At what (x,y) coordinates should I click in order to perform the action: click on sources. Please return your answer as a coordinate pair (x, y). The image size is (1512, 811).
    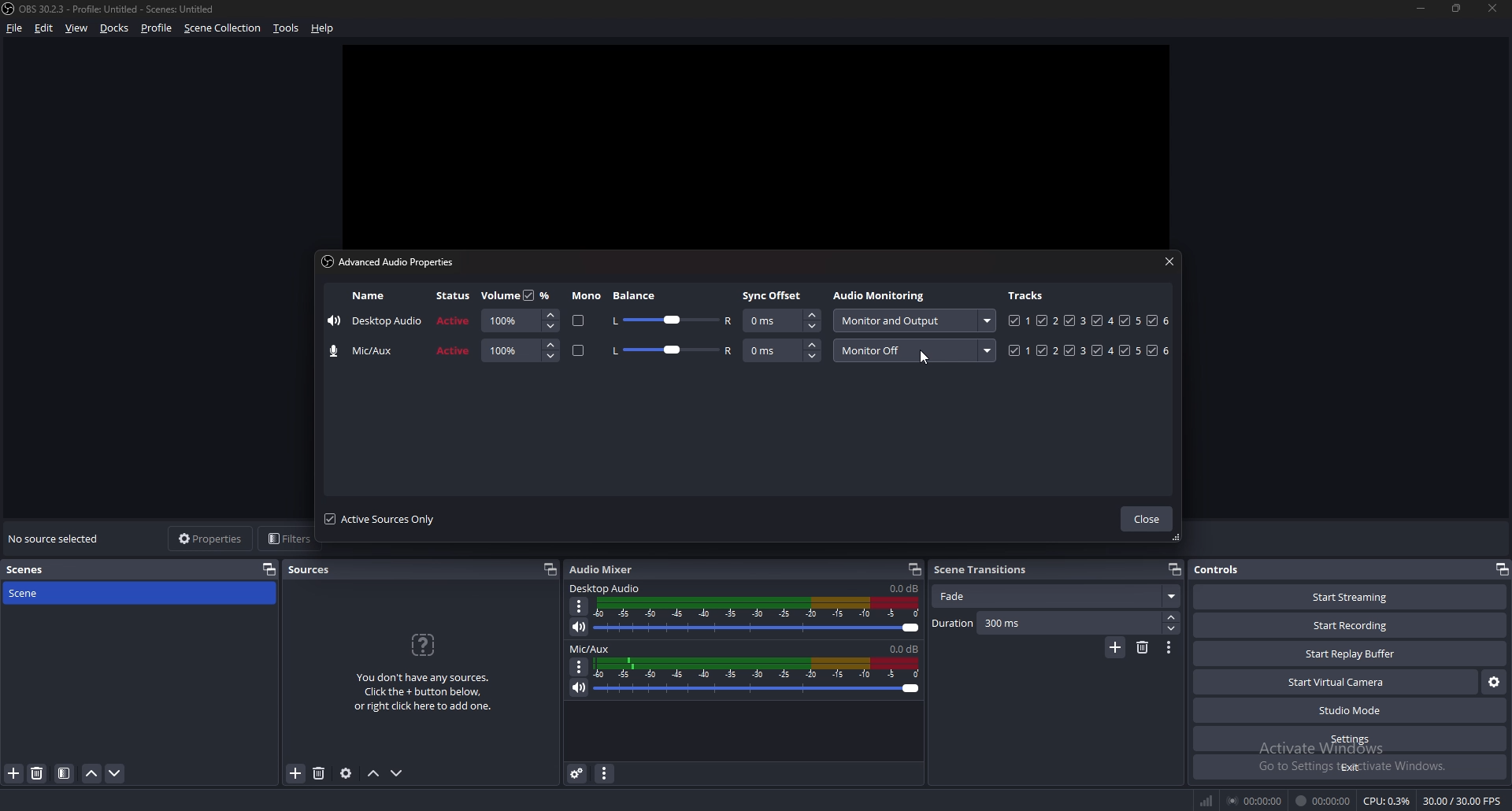
    Looking at the image, I should click on (312, 569).